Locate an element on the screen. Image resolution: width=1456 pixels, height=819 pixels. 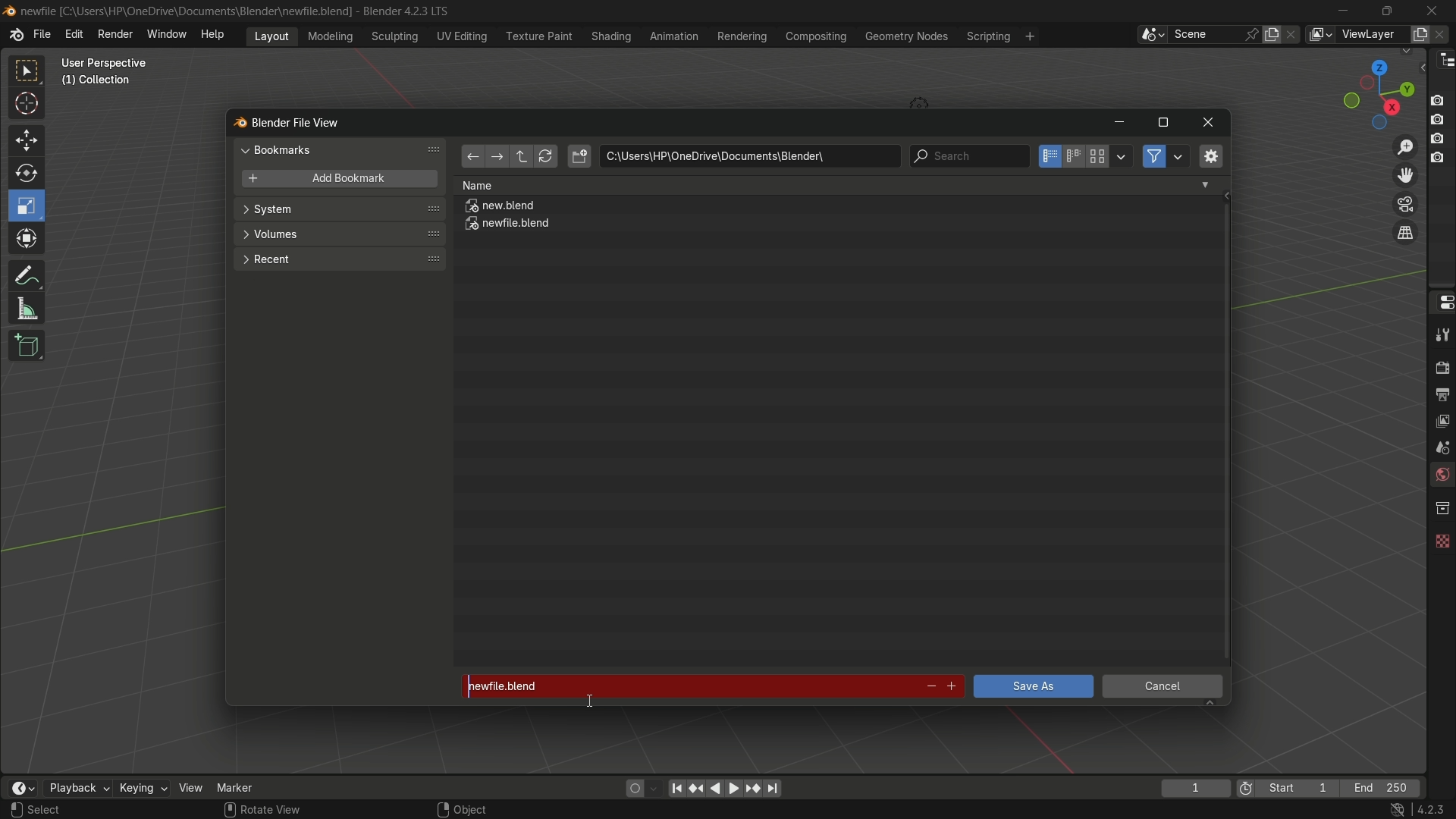
Name is located at coordinates (836, 185).